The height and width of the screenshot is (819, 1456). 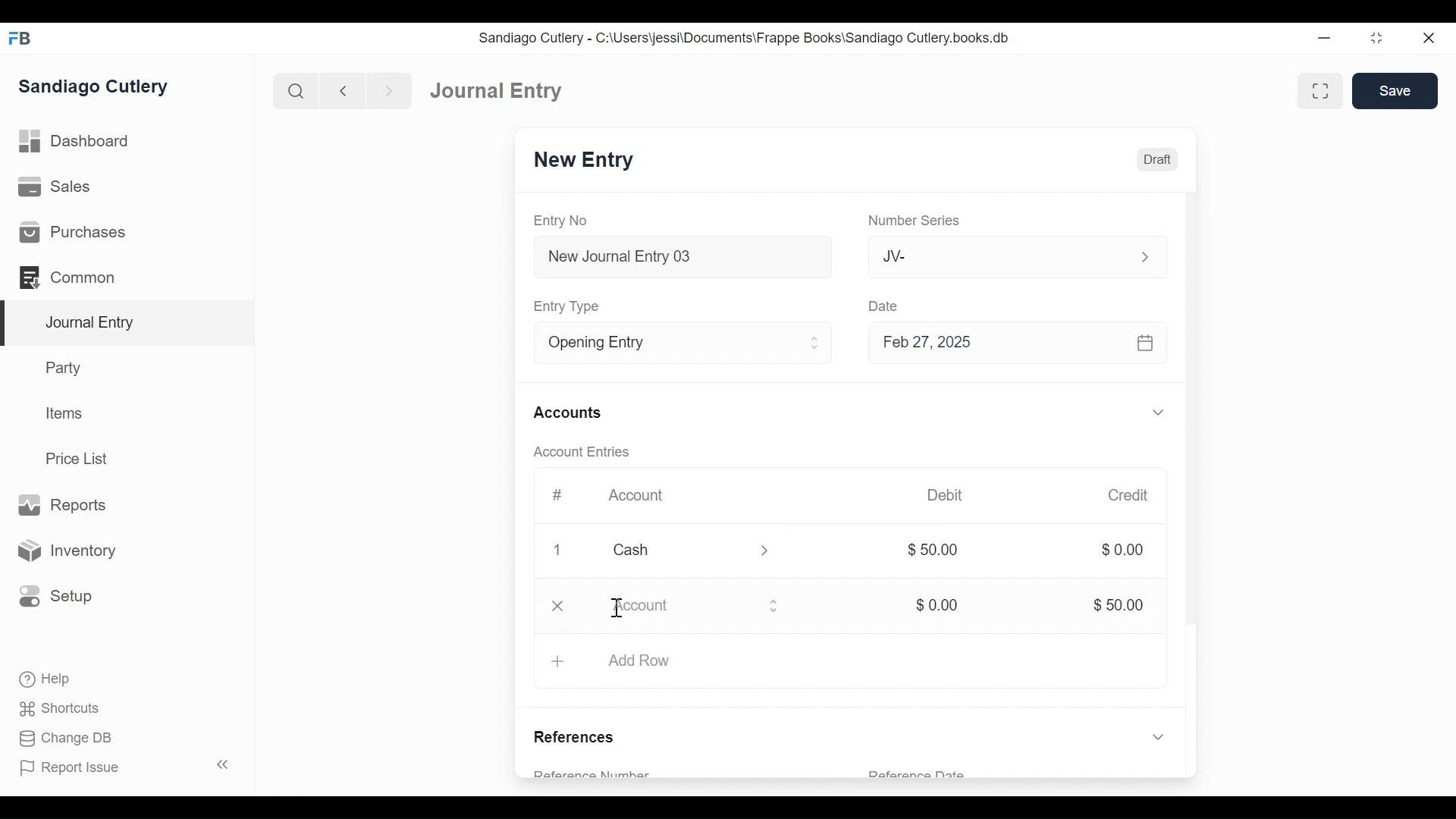 What do you see at coordinates (67, 505) in the screenshot?
I see `Reports` at bounding box center [67, 505].